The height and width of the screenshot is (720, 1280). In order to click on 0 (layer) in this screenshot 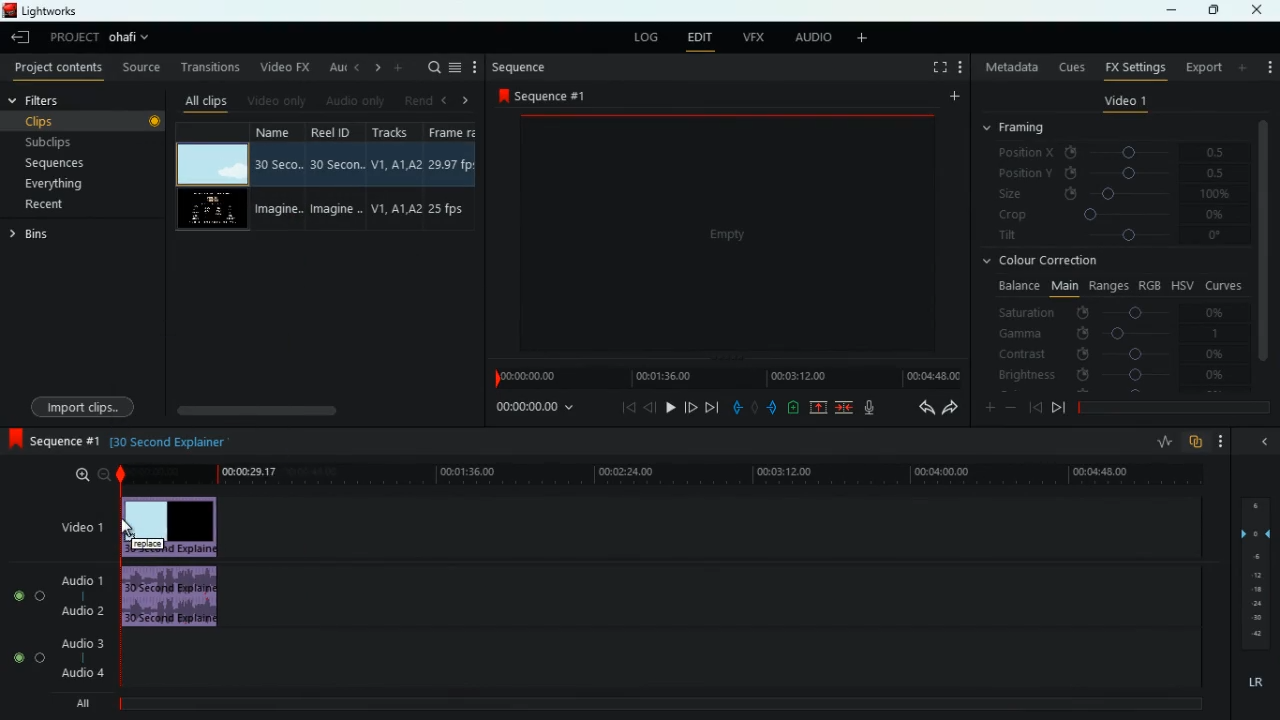, I will do `click(1252, 531)`.